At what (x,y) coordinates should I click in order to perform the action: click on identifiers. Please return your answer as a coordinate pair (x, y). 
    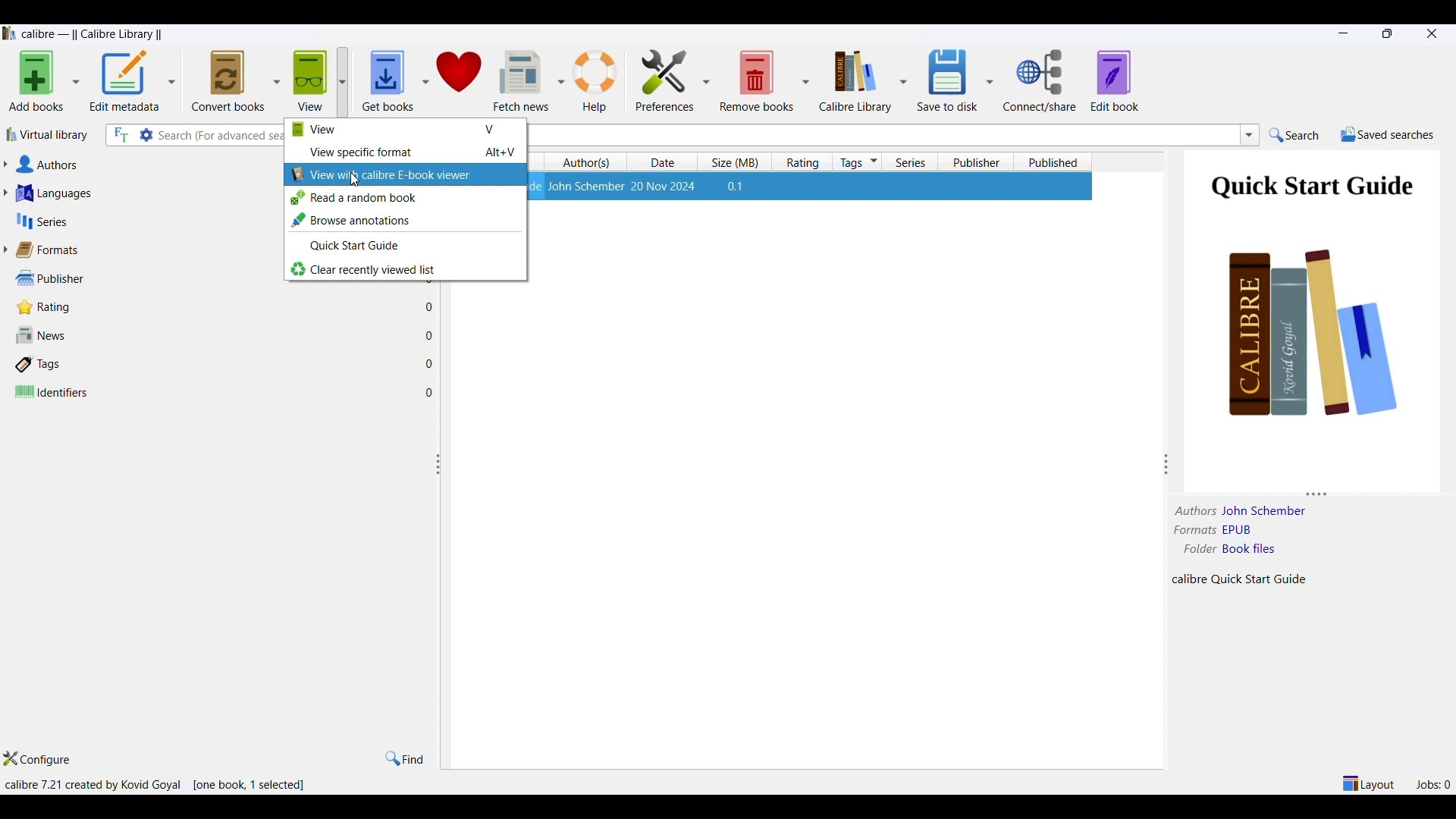
    Looking at the image, I should click on (229, 391).